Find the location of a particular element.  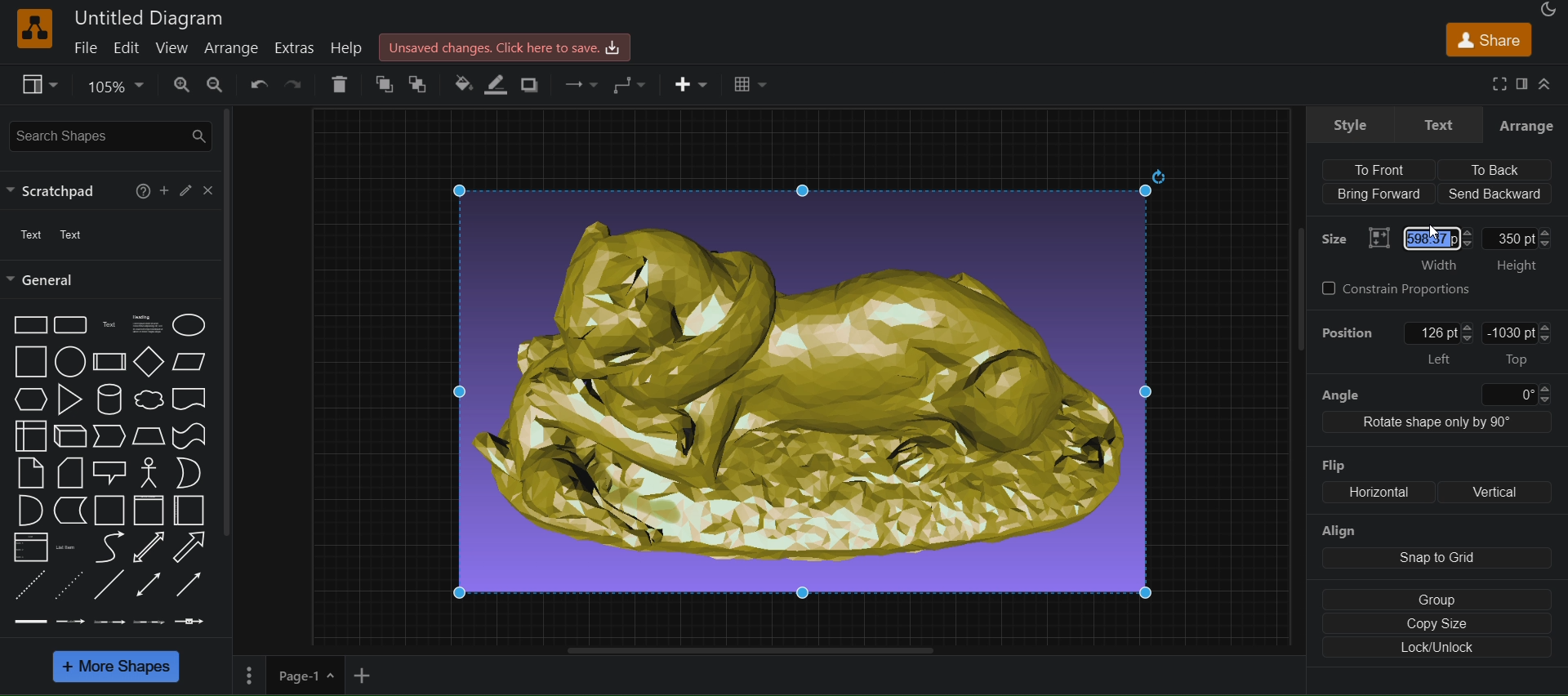

Untitled Diagram is located at coordinates (152, 19).